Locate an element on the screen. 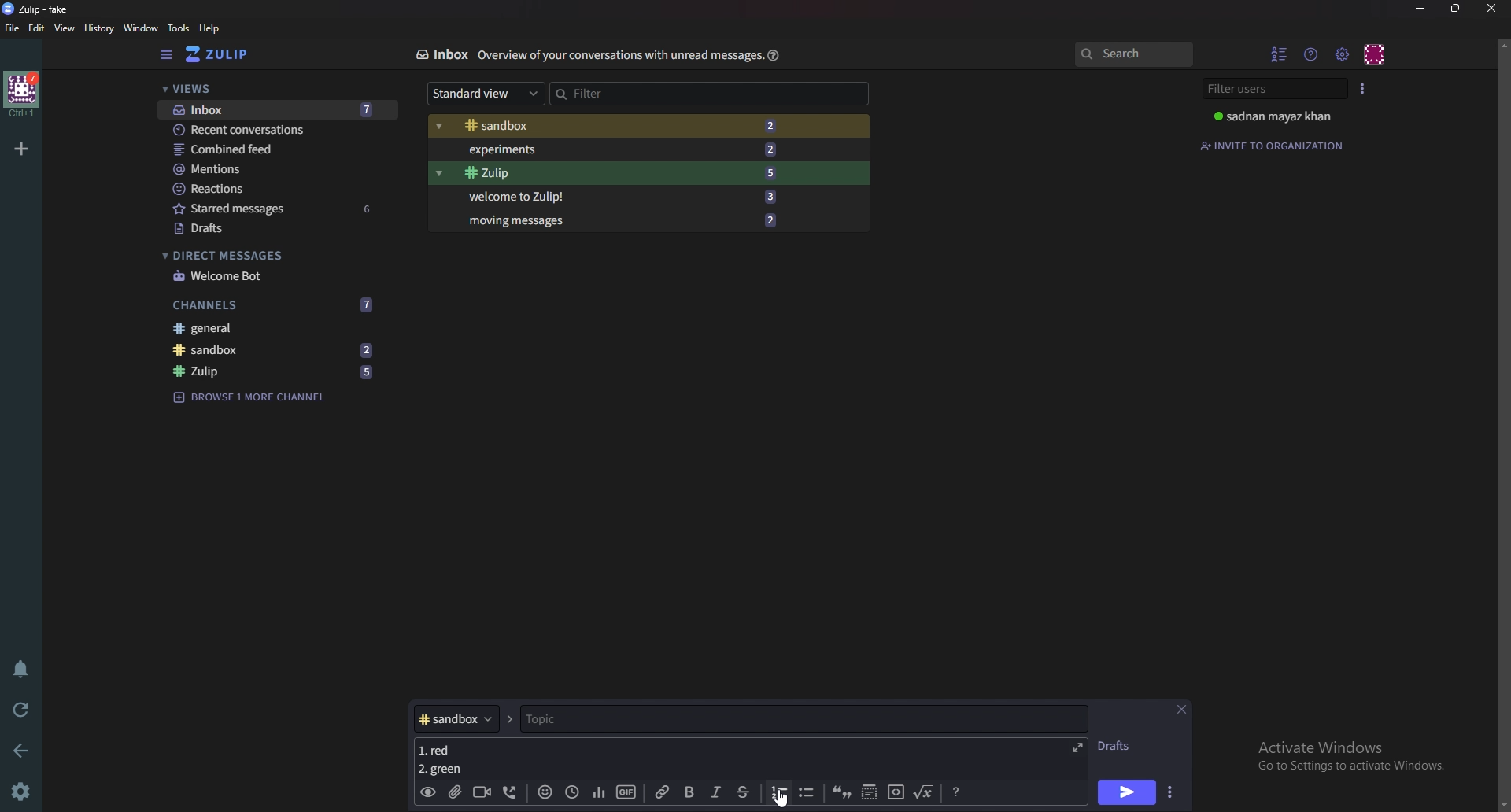 This screenshot has height=812, width=1511. Emoji is located at coordinates (542, 793).